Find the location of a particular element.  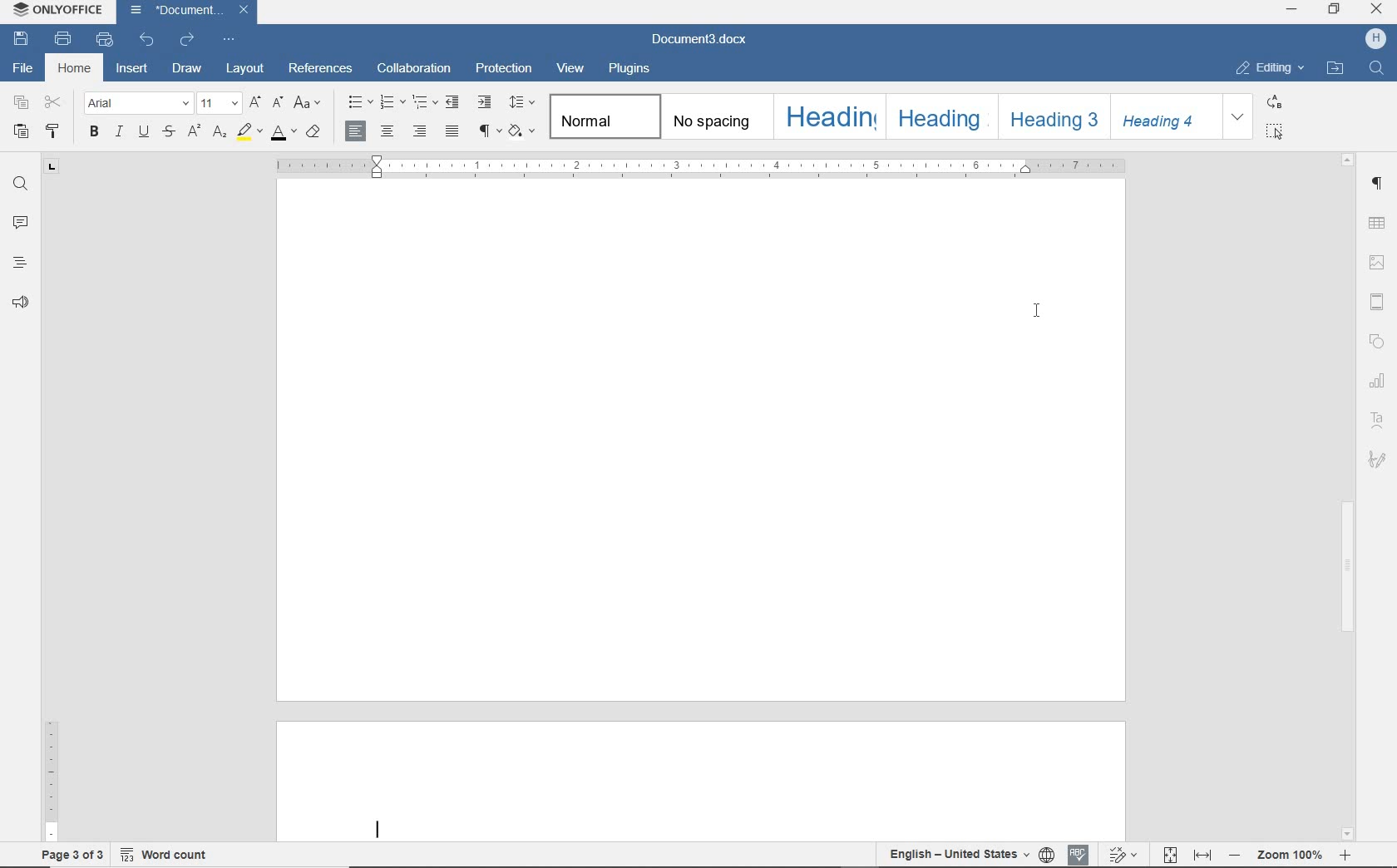

NORMAL is located at coordinates (601, 116).